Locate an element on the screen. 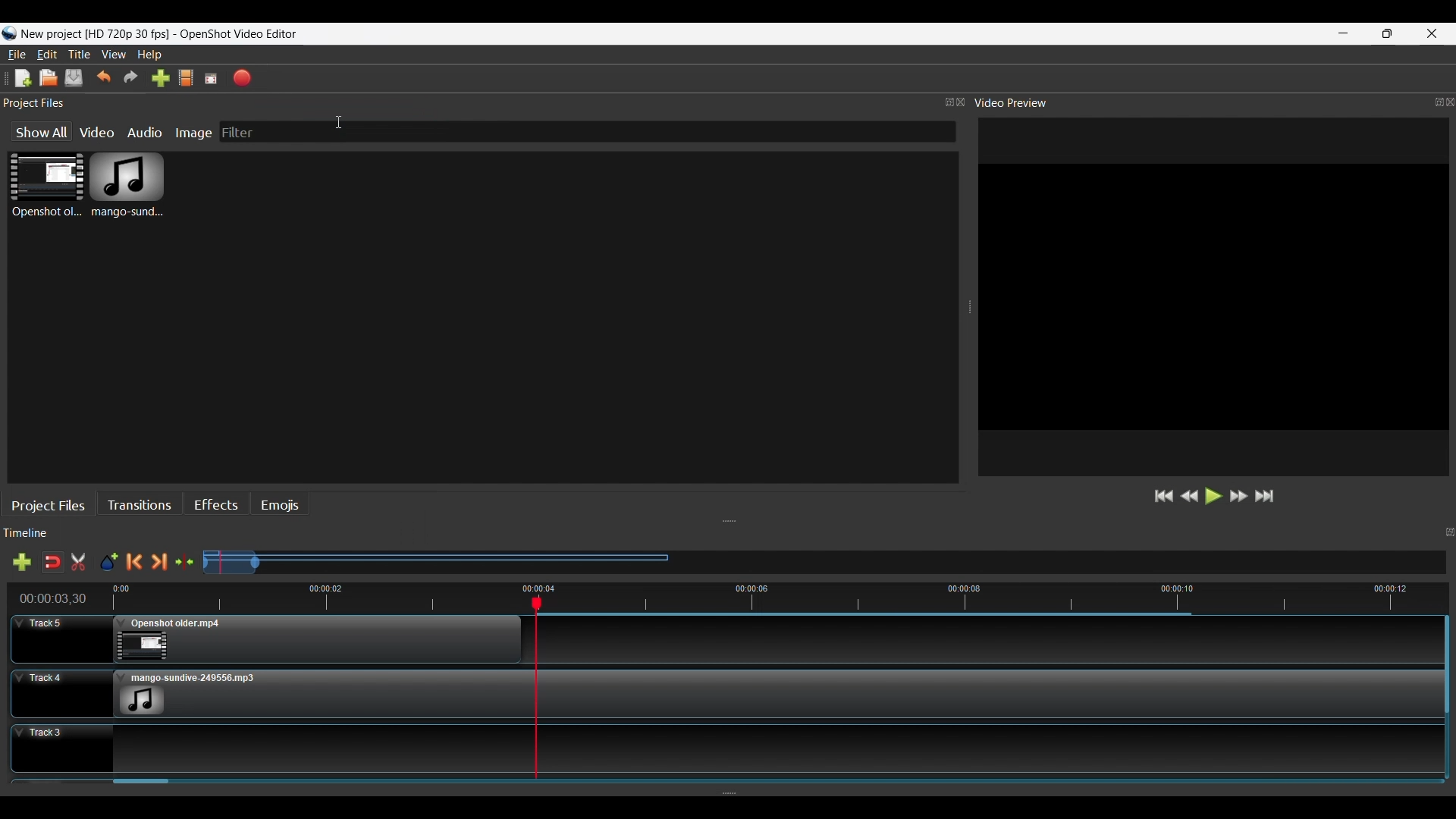 Image resolution: width=1456 pixels, height=819 pixels. New Project  is located at coordinates (24, 78).